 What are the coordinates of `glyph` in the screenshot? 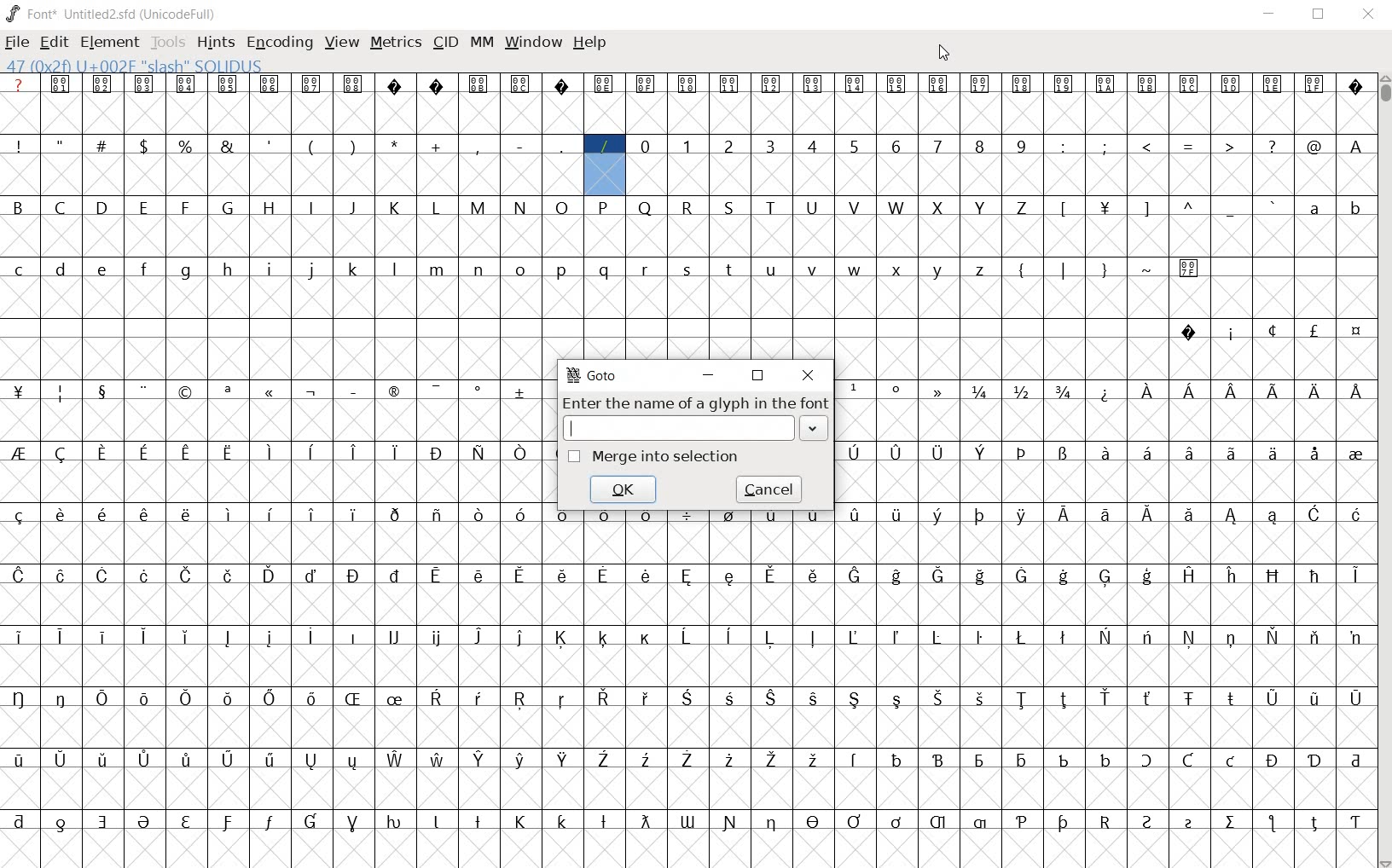 It's located at (1229, 145).